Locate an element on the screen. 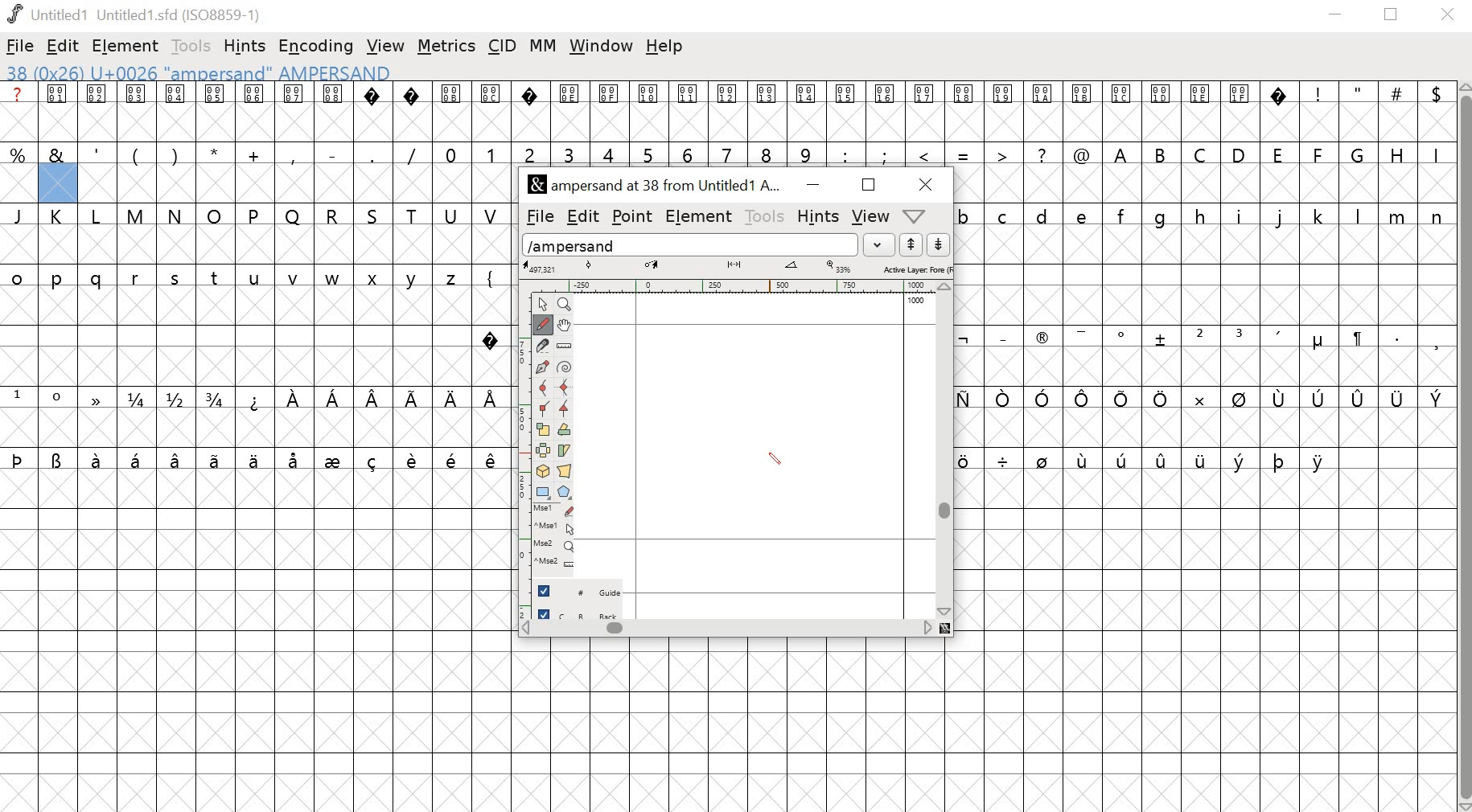 The image size is (1472, 812). horizontal scrollbar is located at coordinates (735, 629).